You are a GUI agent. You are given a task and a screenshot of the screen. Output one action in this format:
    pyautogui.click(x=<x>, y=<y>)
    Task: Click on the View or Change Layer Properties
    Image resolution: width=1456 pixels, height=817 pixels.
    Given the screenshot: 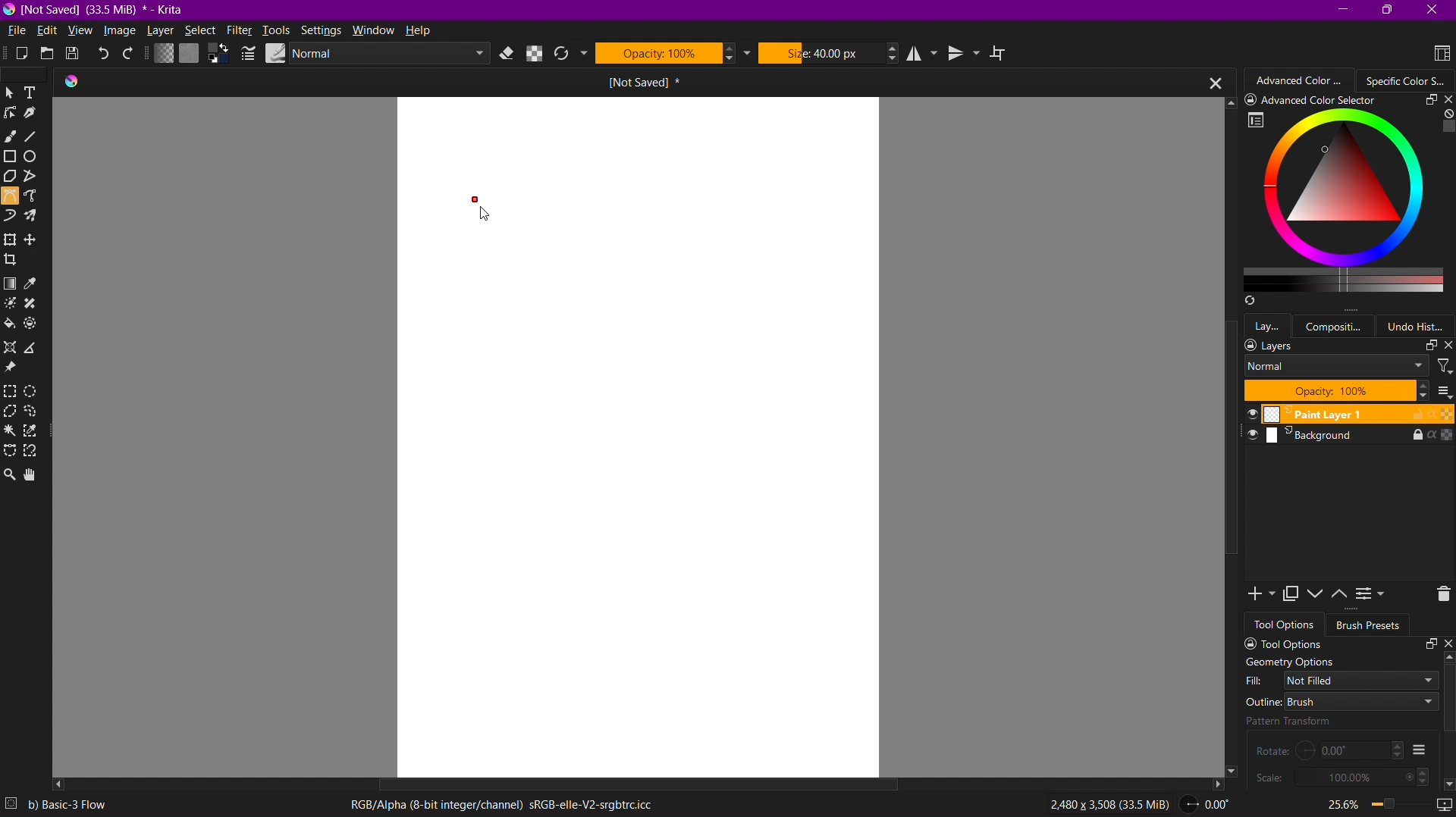 What is the action you would take?
    pyautogui.click(x=1372, y=596)
    